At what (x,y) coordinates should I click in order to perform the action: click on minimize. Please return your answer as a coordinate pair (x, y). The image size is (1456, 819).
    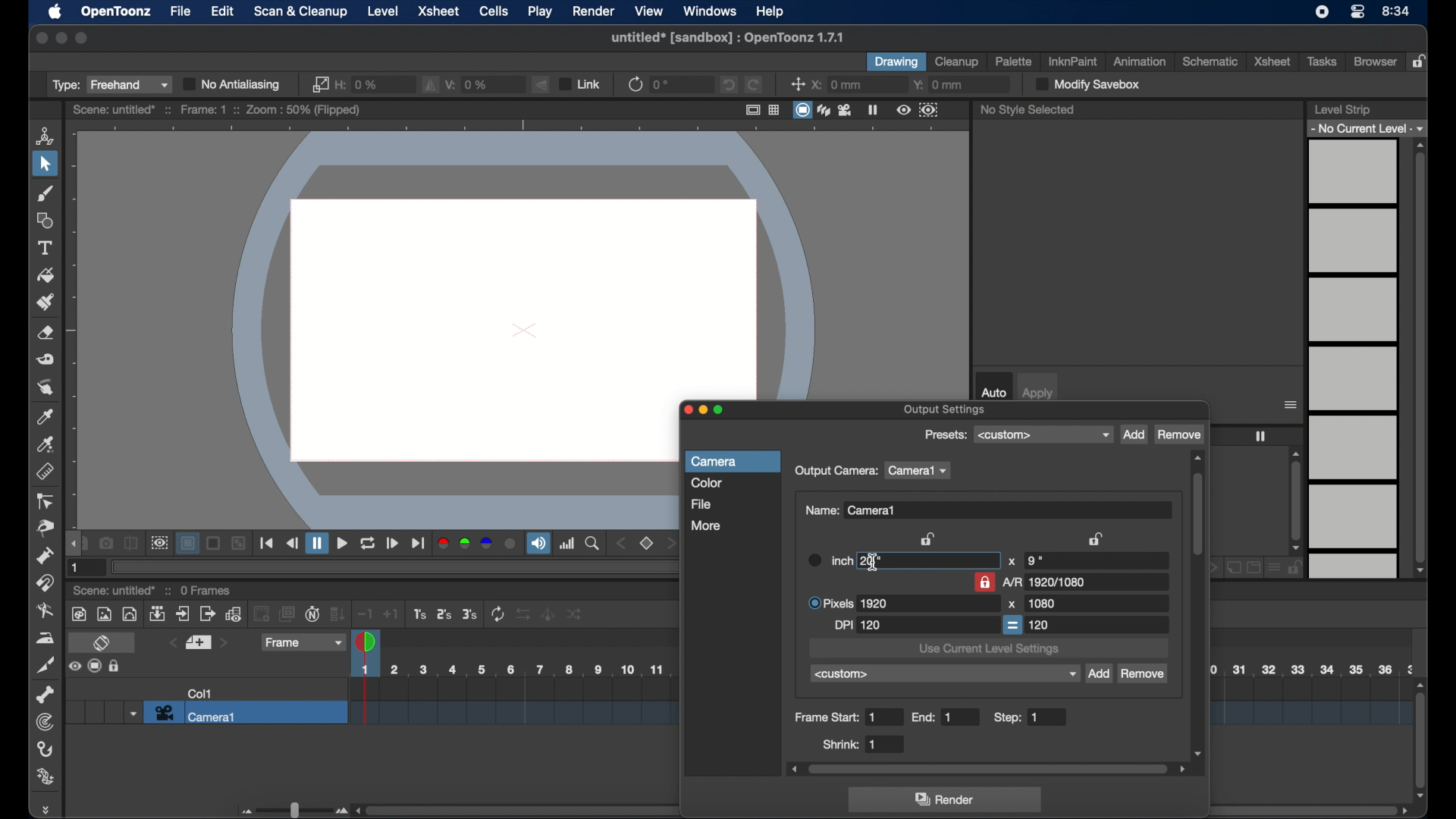
    Looking at the image, I should click on (60, 38).